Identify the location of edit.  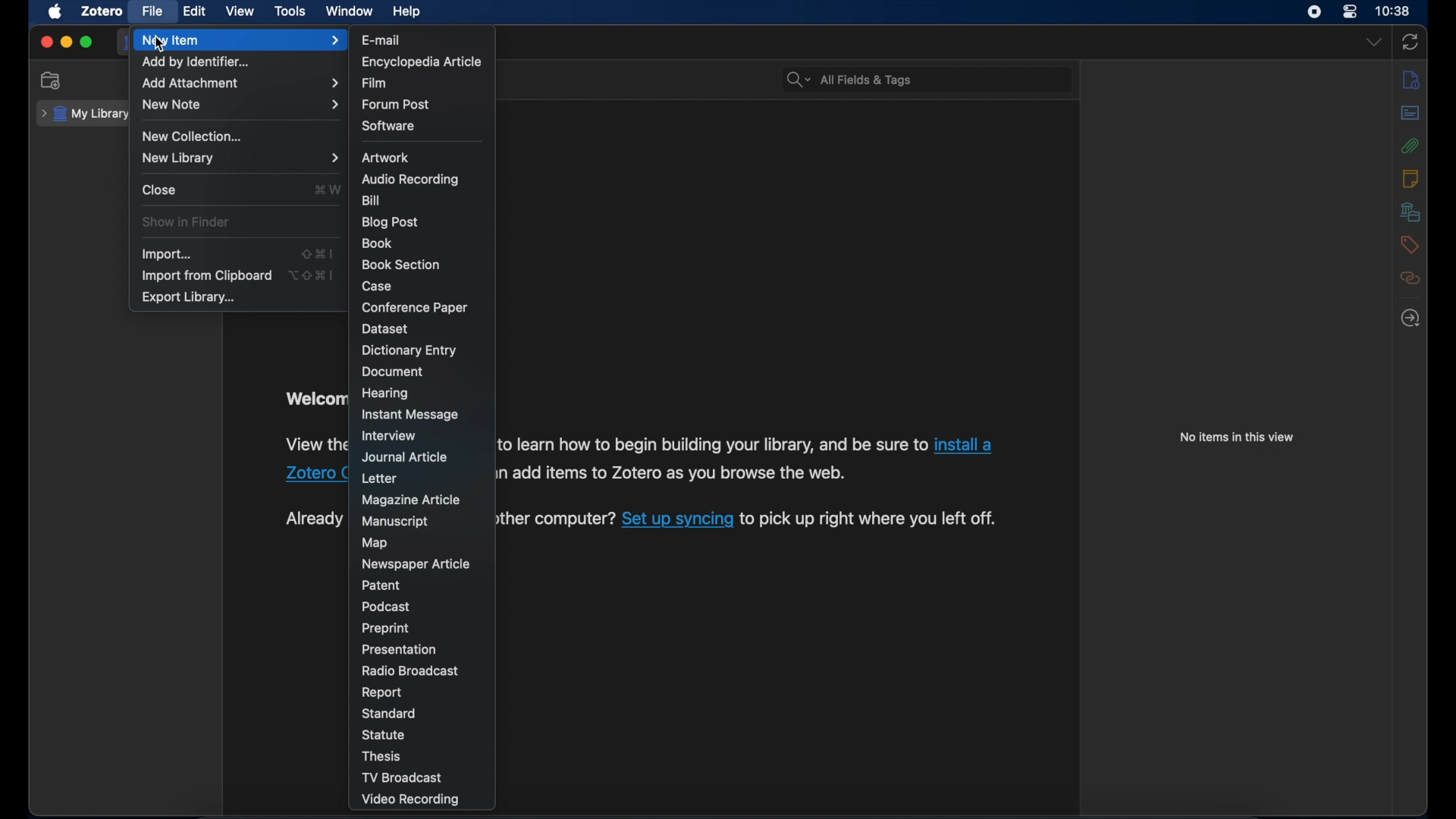
(196, 11).